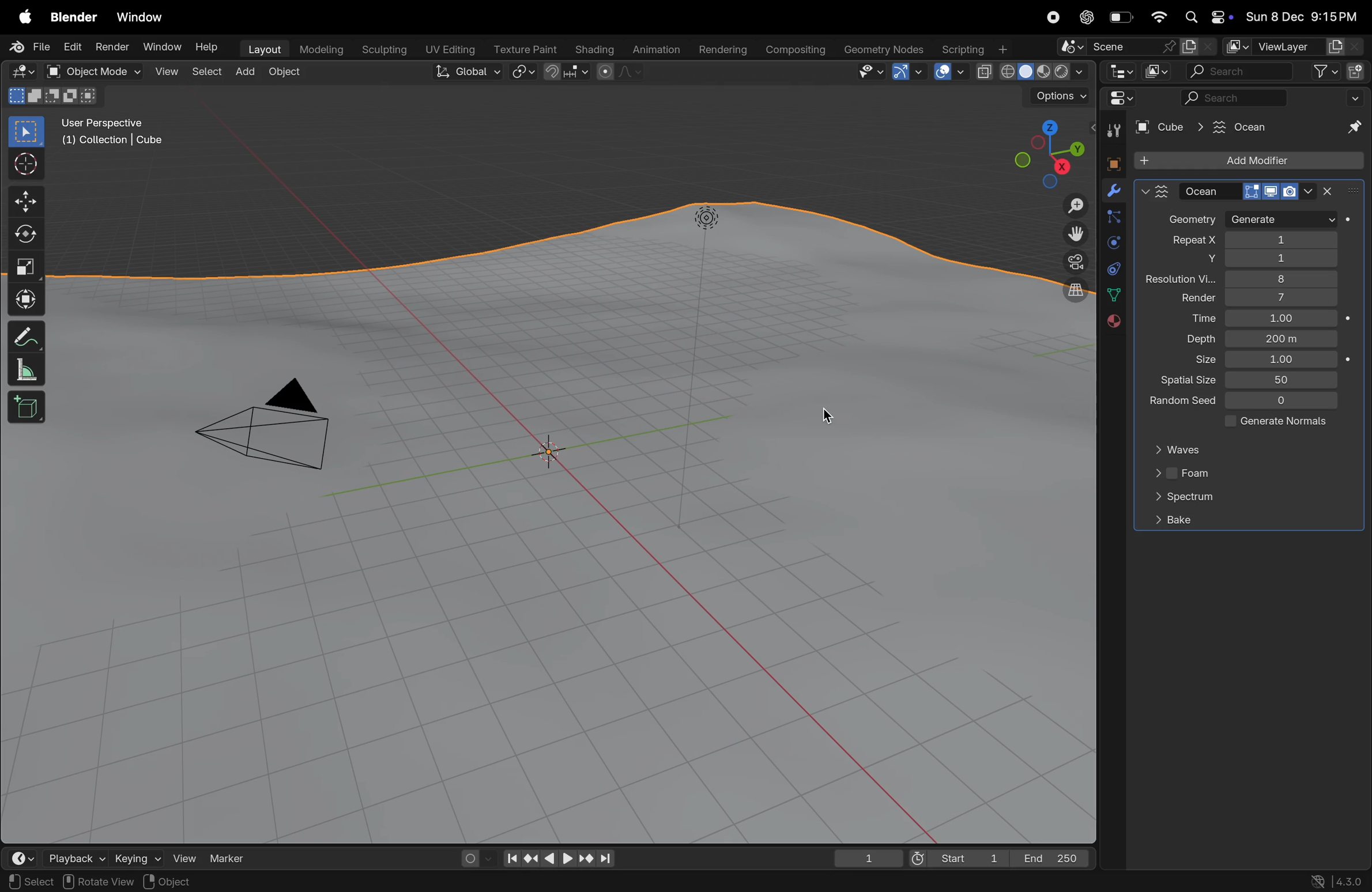 The width and height of the screenshot is (1372, 892). Describe the element at coordinates (472, 856) in the screenshot. I see `auto keying` at that location.